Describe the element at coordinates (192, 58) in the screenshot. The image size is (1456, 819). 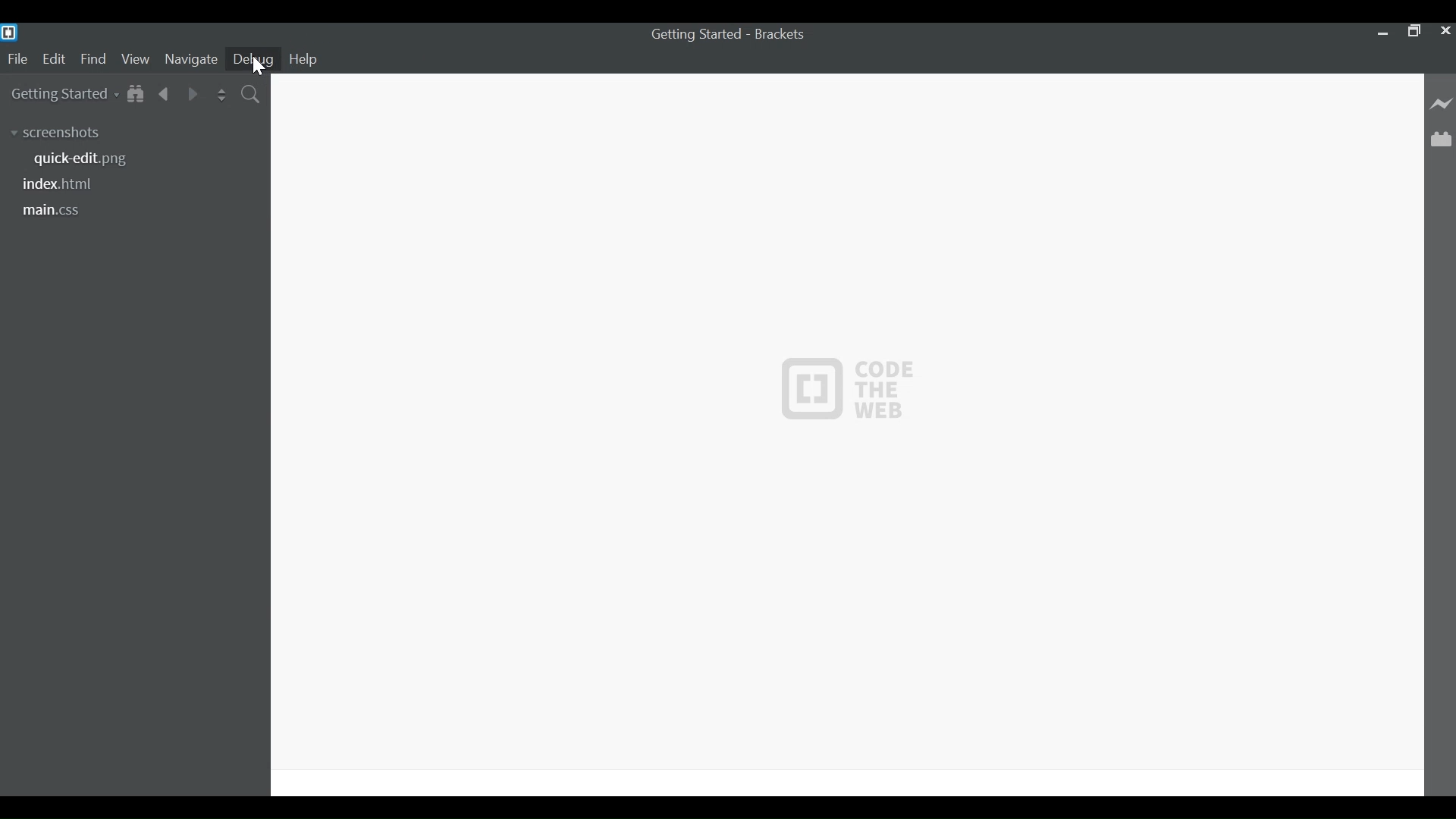
I see `Navigate` at that location.